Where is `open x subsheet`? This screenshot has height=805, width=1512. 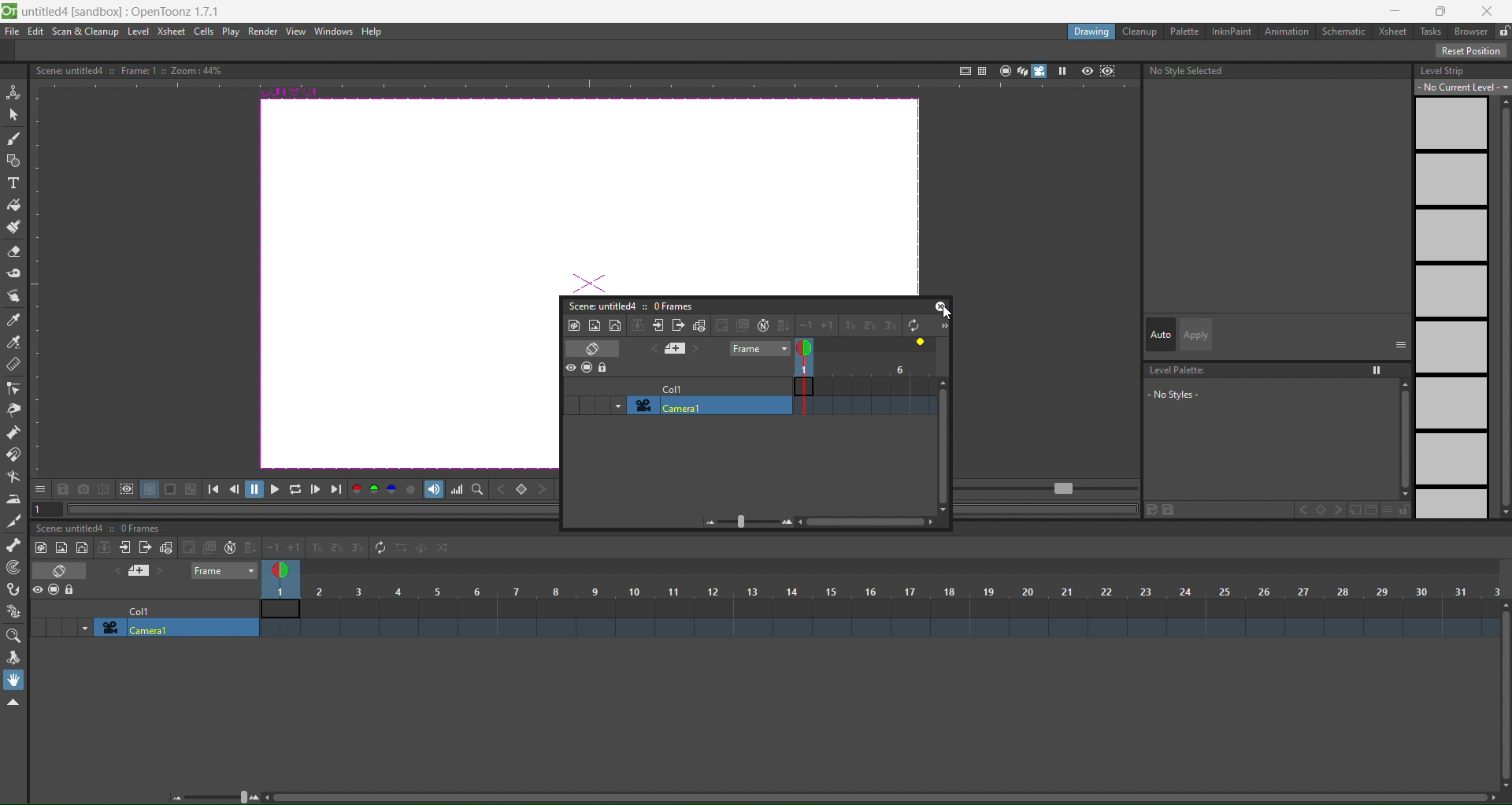 open x subsheet is located at coordinates (658, 325).